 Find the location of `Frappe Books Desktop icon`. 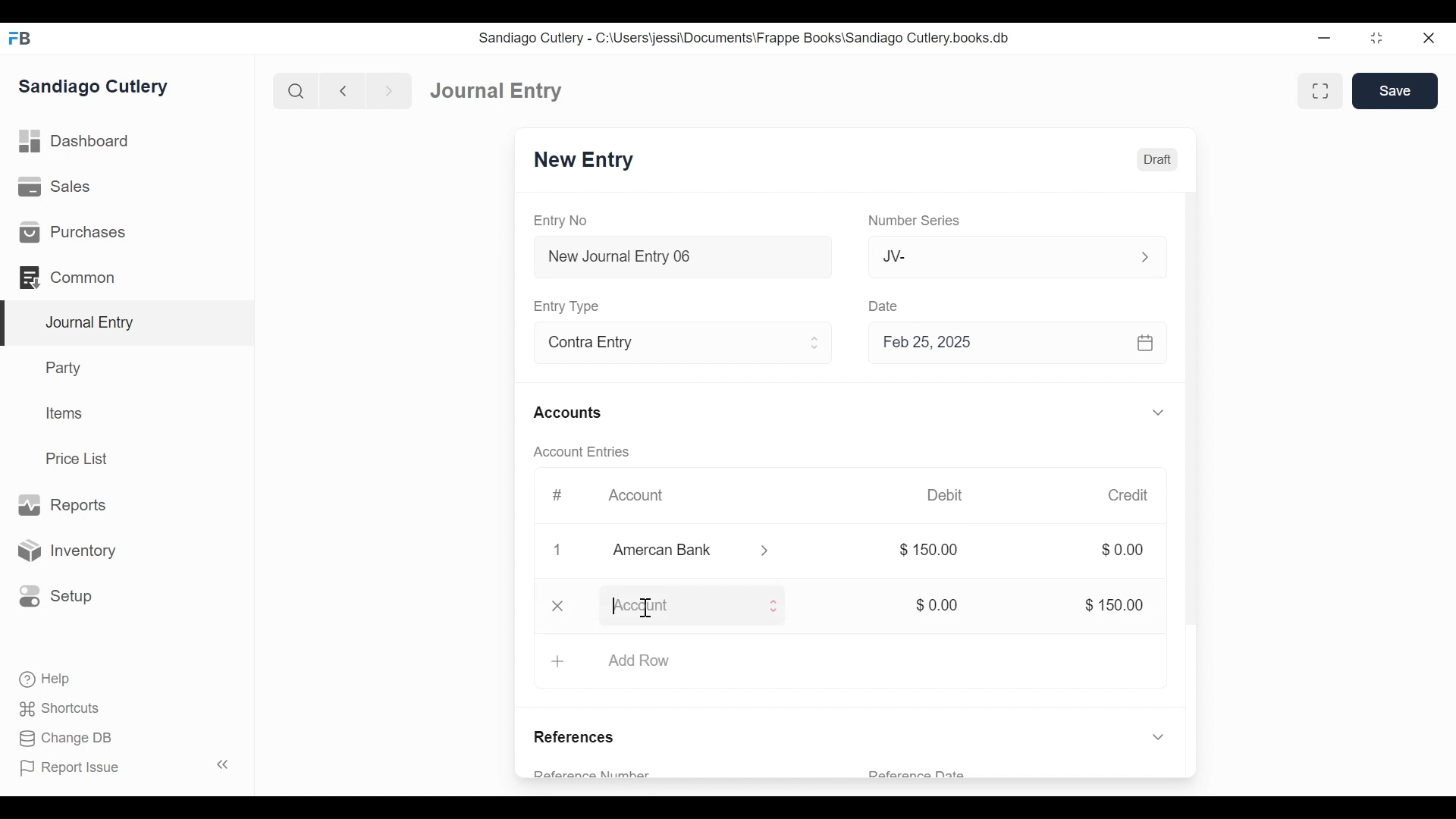

Frappe Books Desktop icon is located at coordinates (21, 39).